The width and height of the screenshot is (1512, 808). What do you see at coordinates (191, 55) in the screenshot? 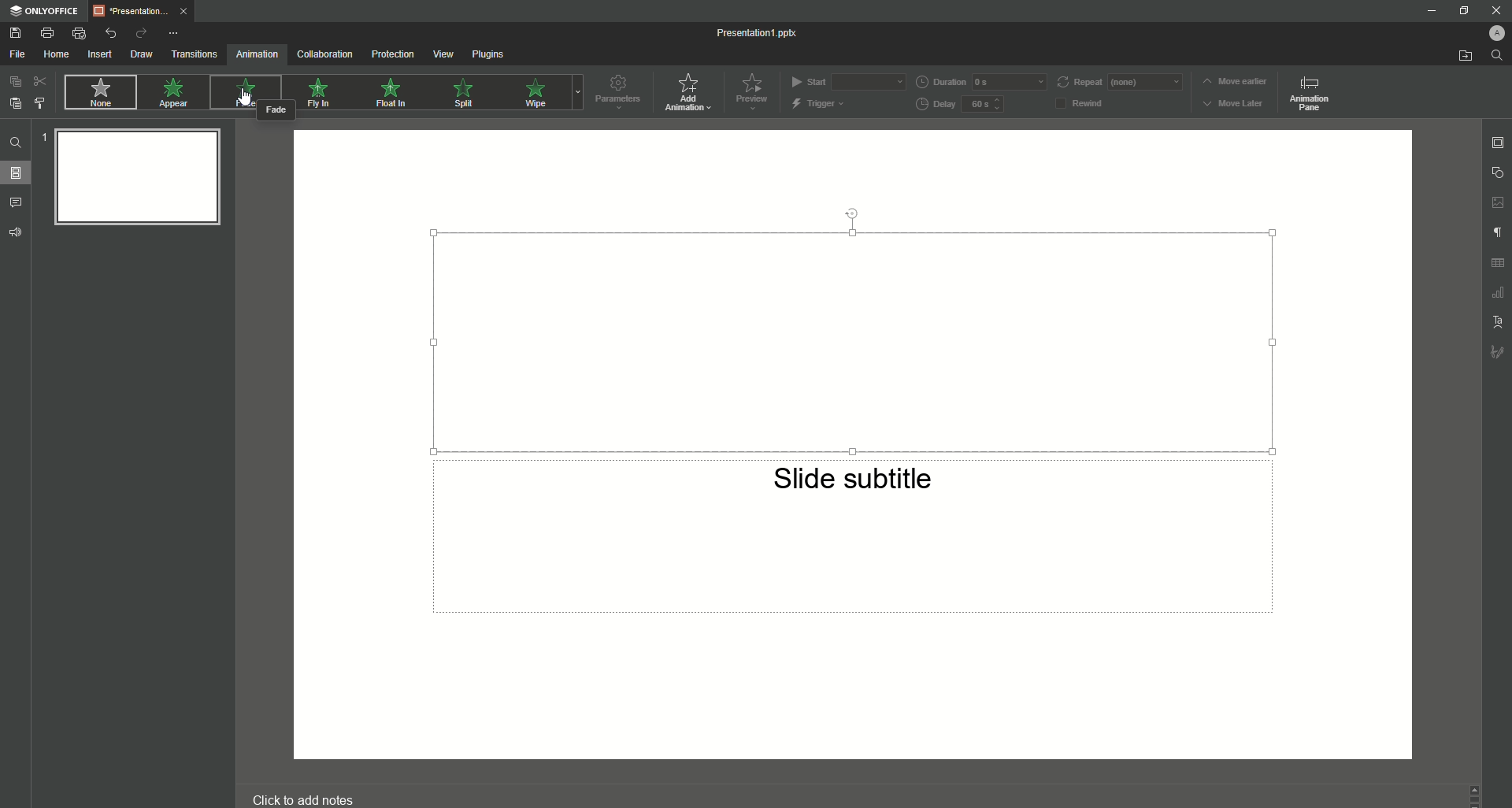
I see `Transitions` at bounding box center [191, 55].